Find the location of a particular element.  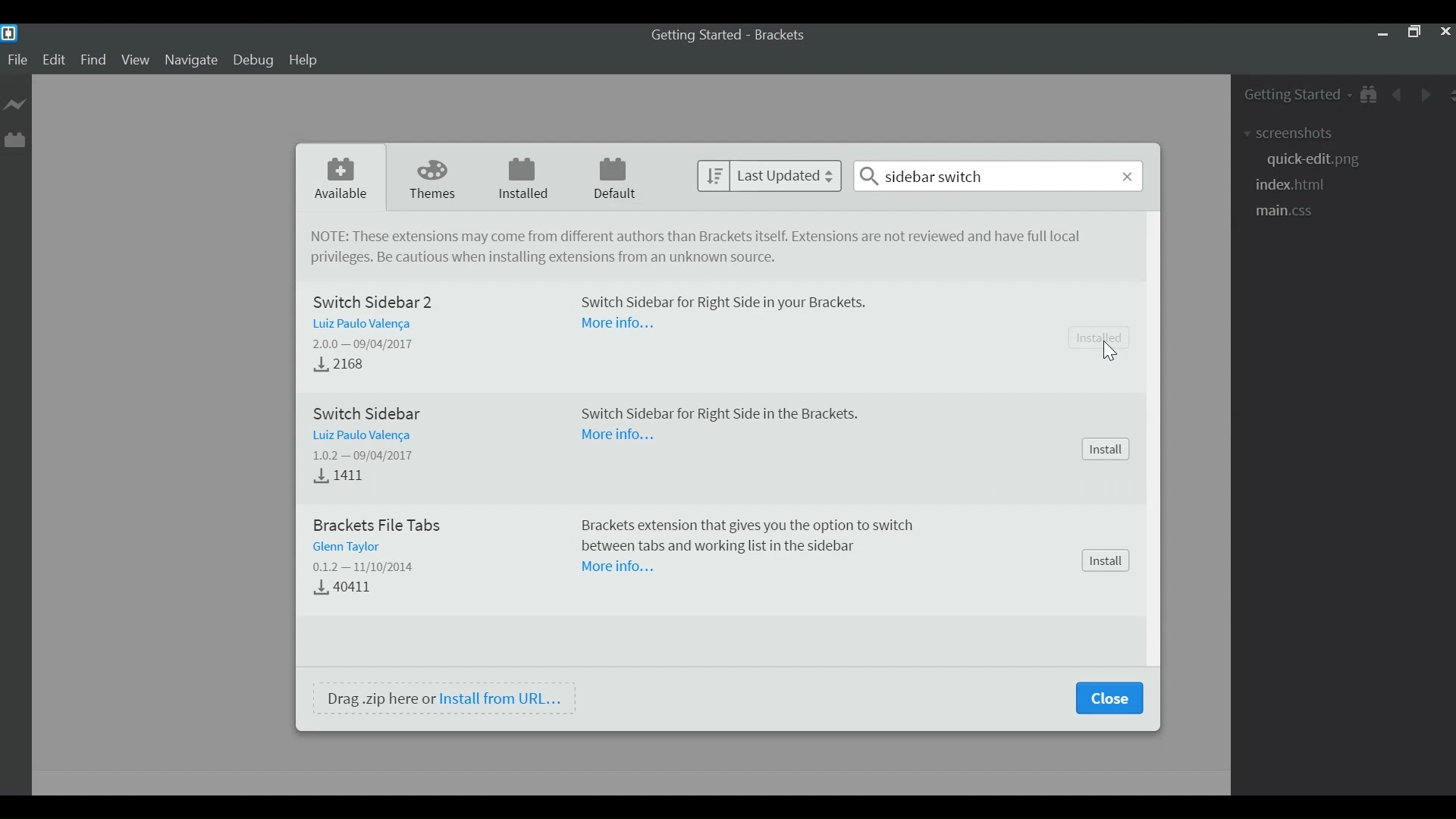

More Information is located at coordinates (618, 323).